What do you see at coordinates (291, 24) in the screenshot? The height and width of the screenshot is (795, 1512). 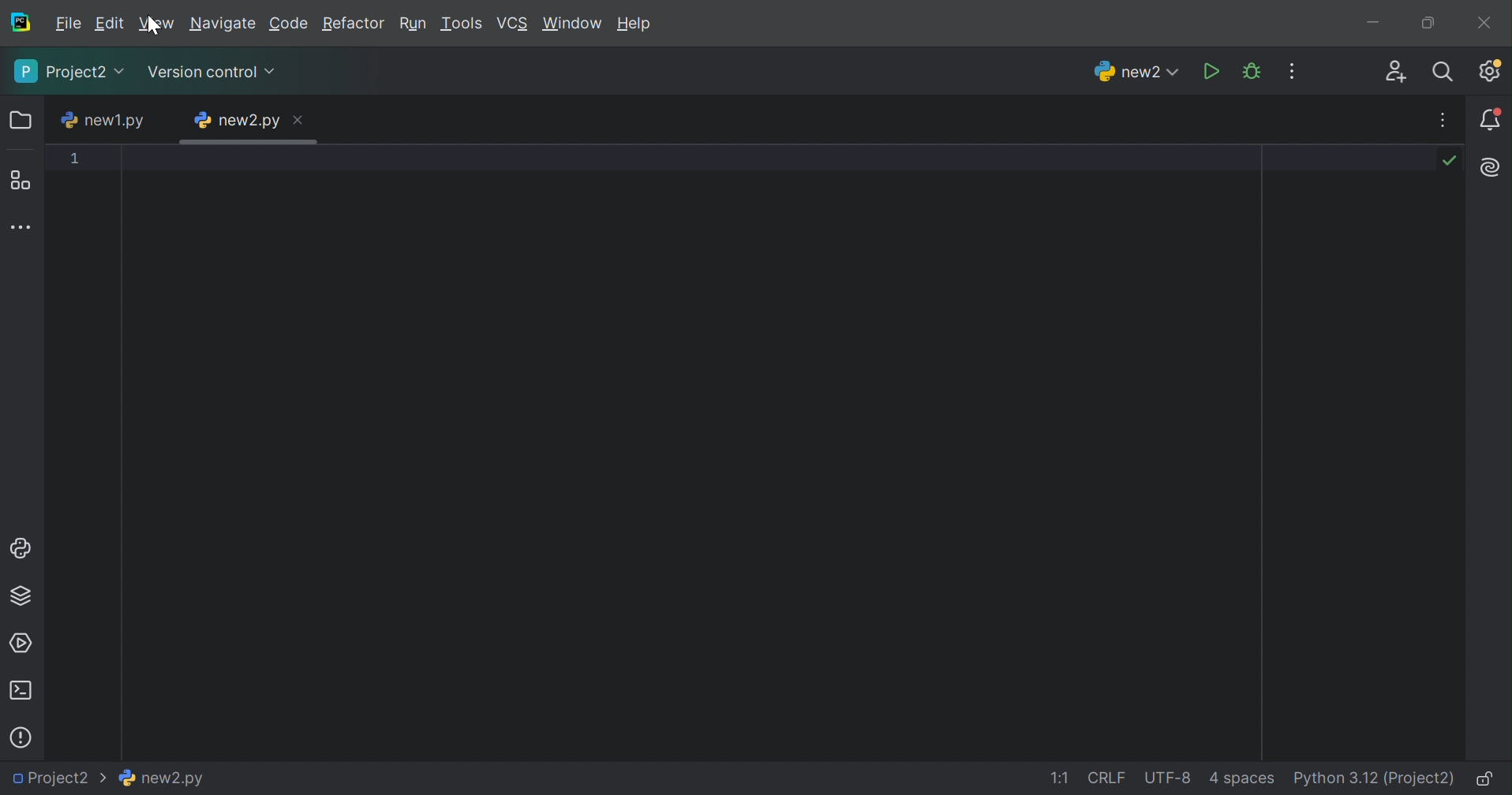 I see `` at bounding box center [291, 24].